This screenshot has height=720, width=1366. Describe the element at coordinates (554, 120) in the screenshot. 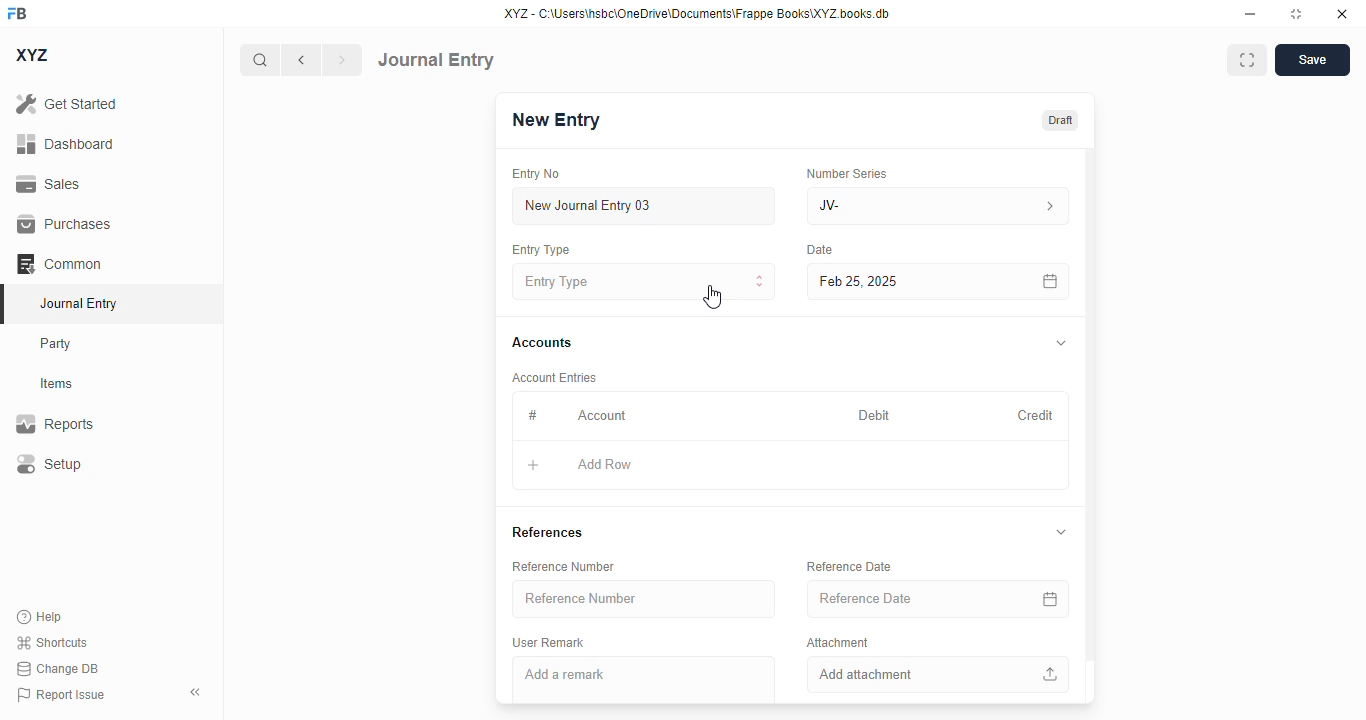

I see `new entry` at that location.